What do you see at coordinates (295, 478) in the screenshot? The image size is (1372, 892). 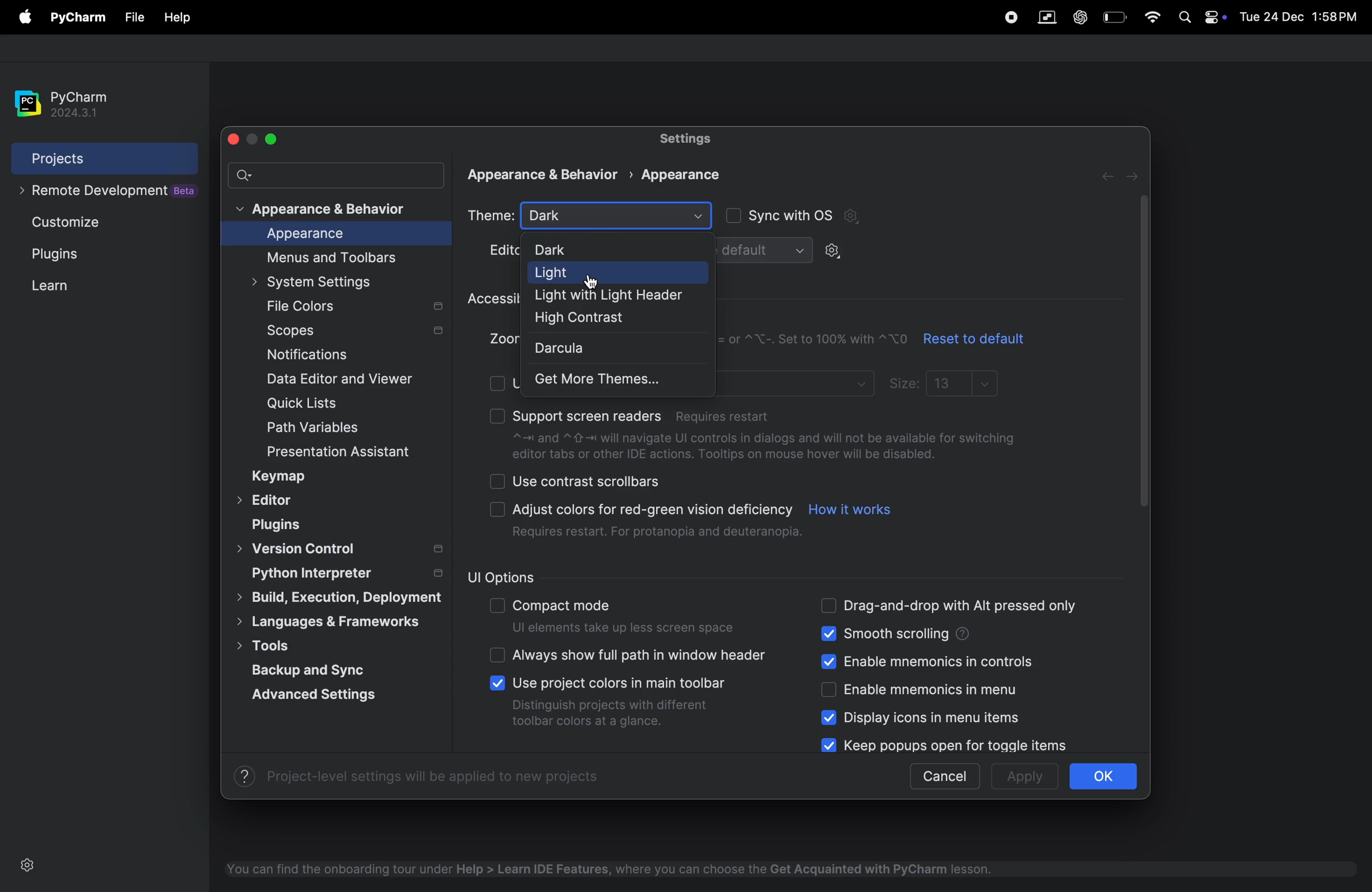 I see `keymap` at bounding box center [295, 478].